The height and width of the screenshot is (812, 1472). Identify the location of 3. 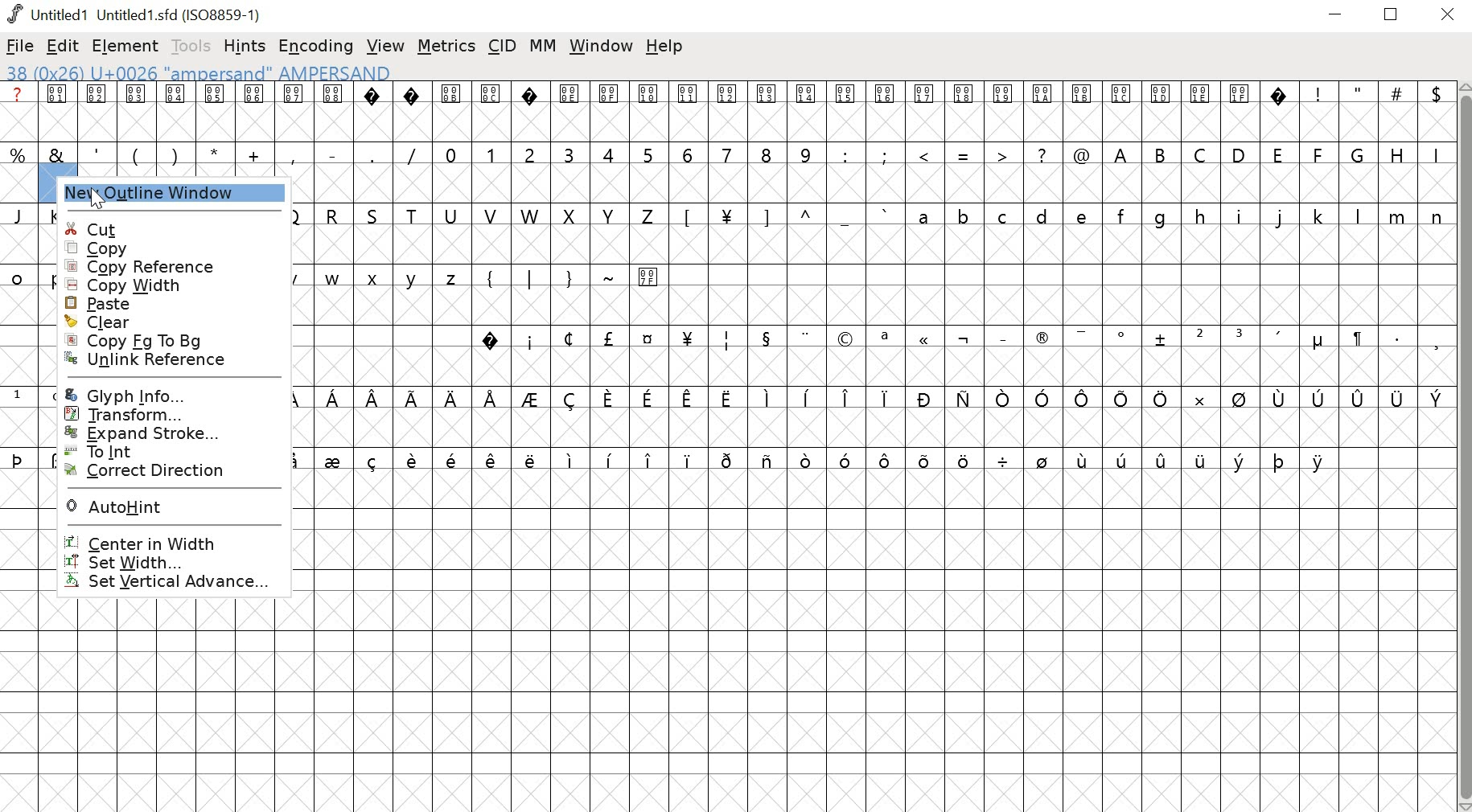
(569, 153).